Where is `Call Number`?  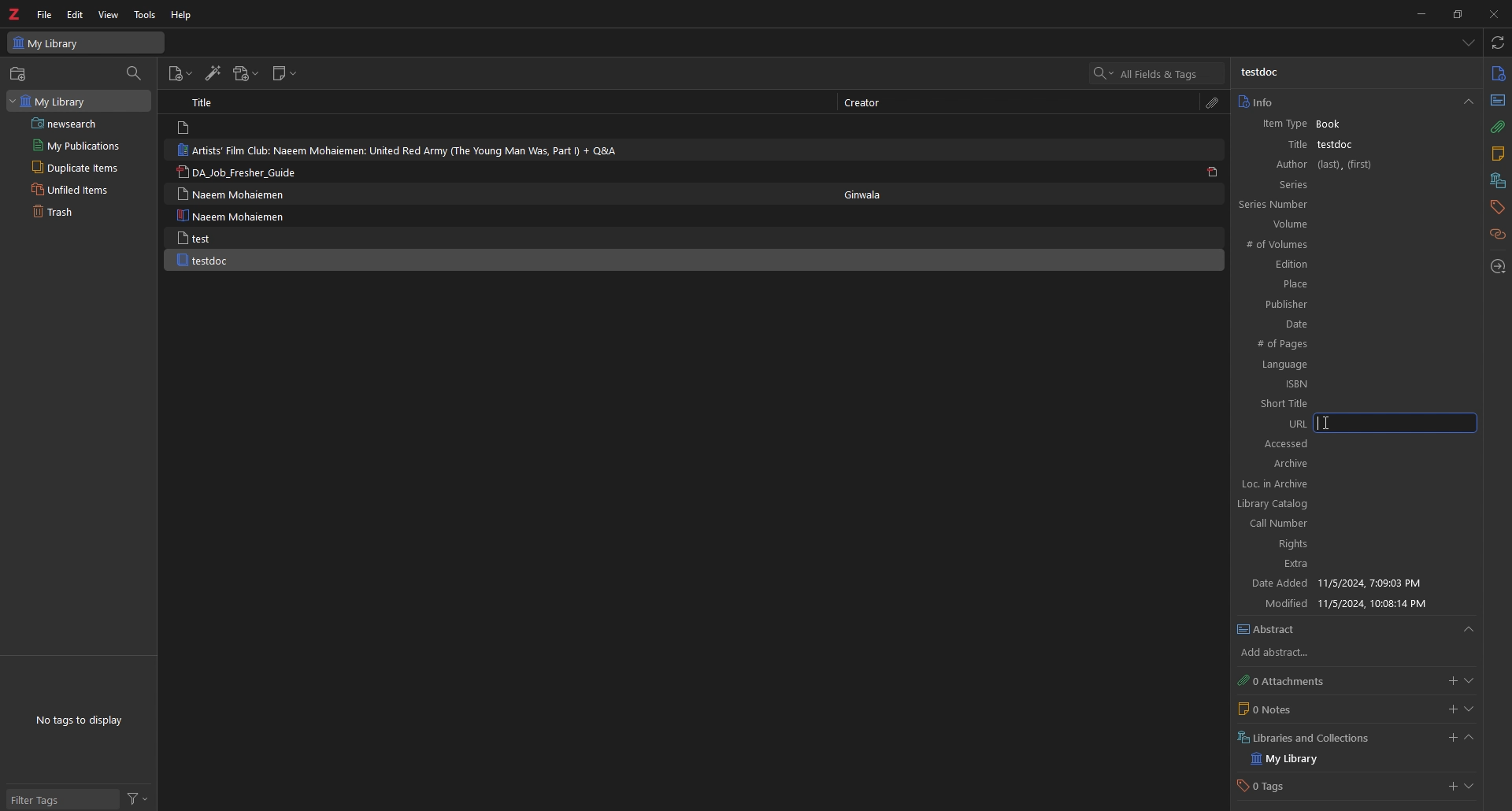 Call Number is located at coordinates (1346, 524).